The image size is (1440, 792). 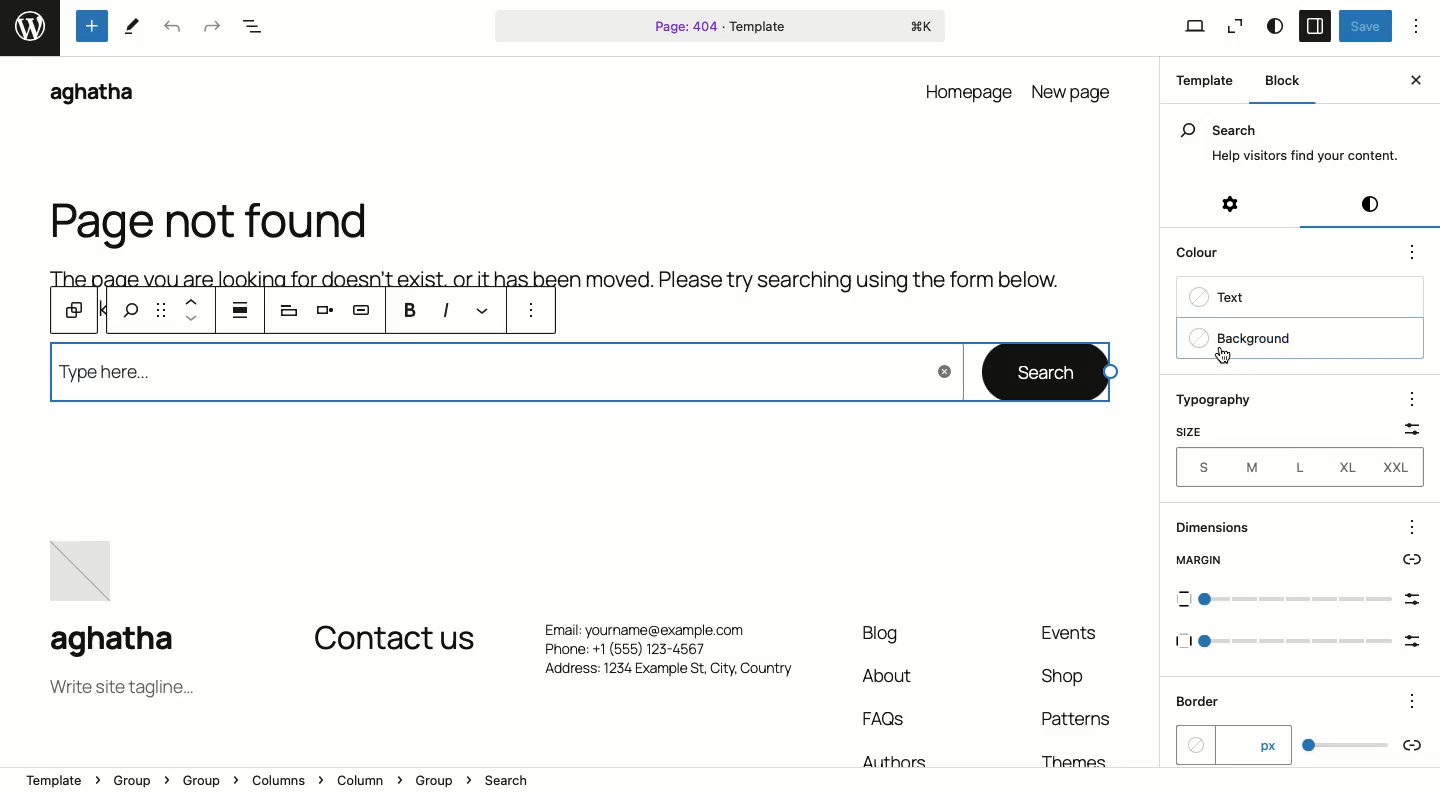 I want to click on FAQs, so click(x=887, y=719).